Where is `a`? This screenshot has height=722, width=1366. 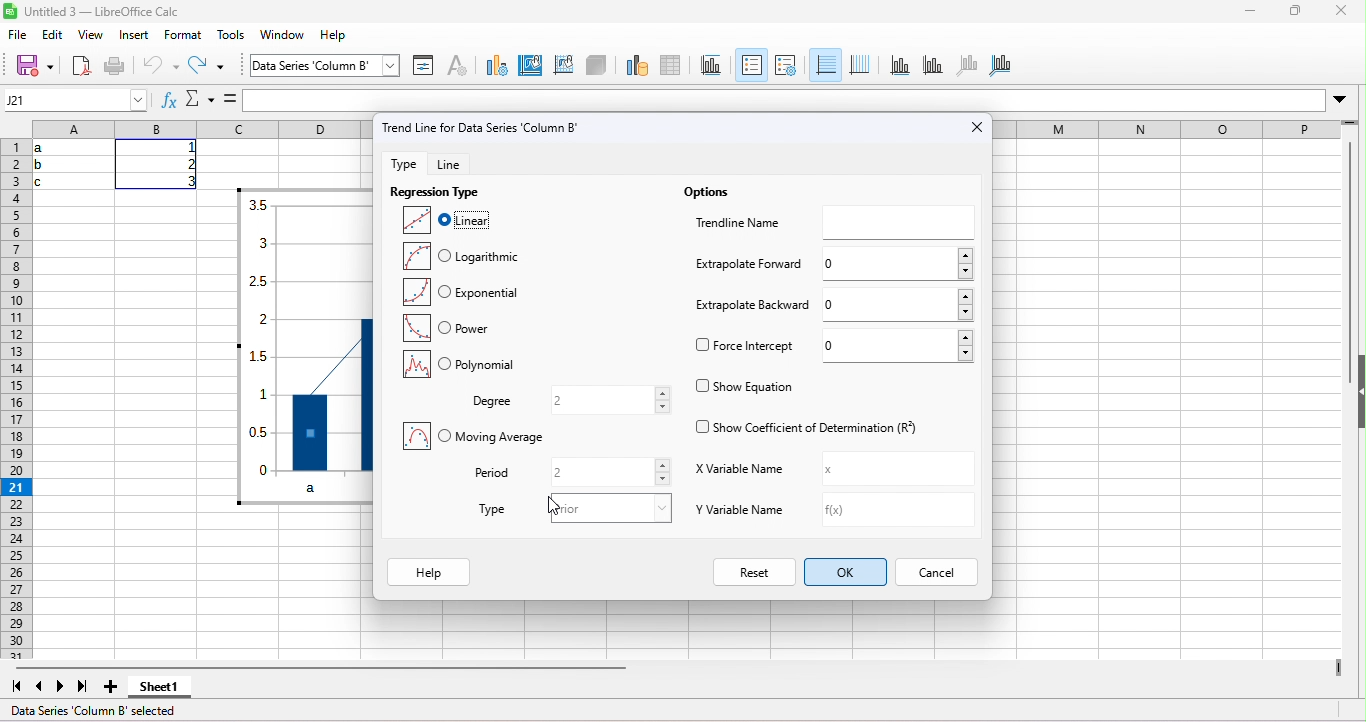 a is located at coordinates (333, 488).